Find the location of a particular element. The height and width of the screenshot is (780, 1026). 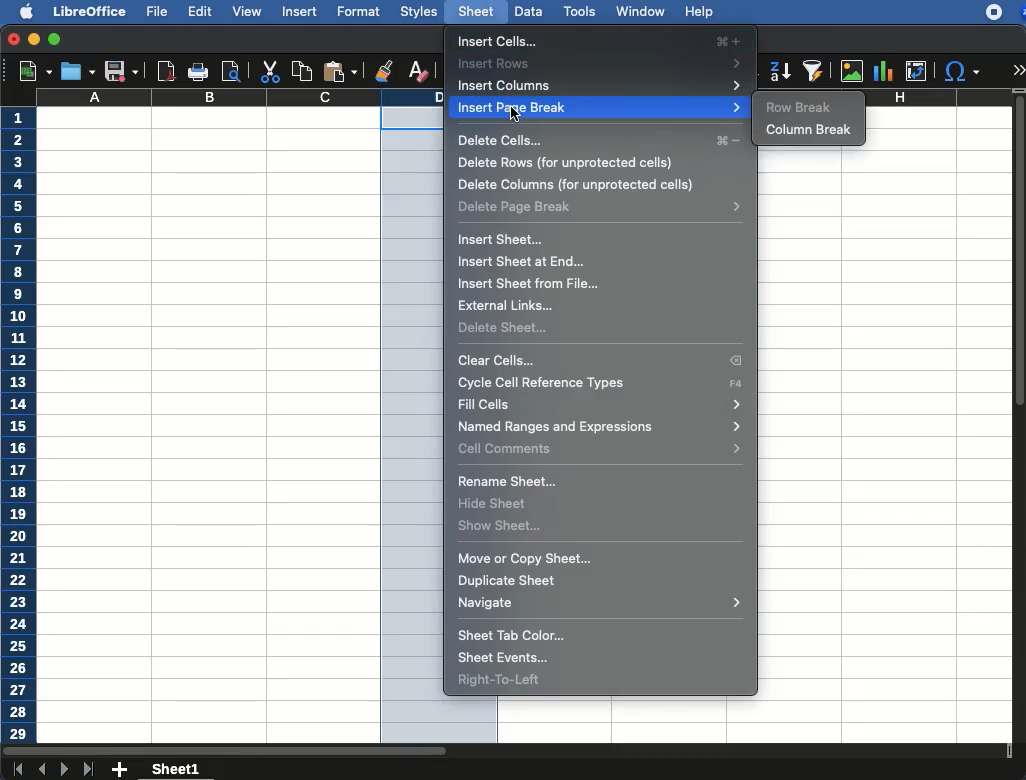

delete rows (for unprotected cels) is located at coordinates (567, 163).